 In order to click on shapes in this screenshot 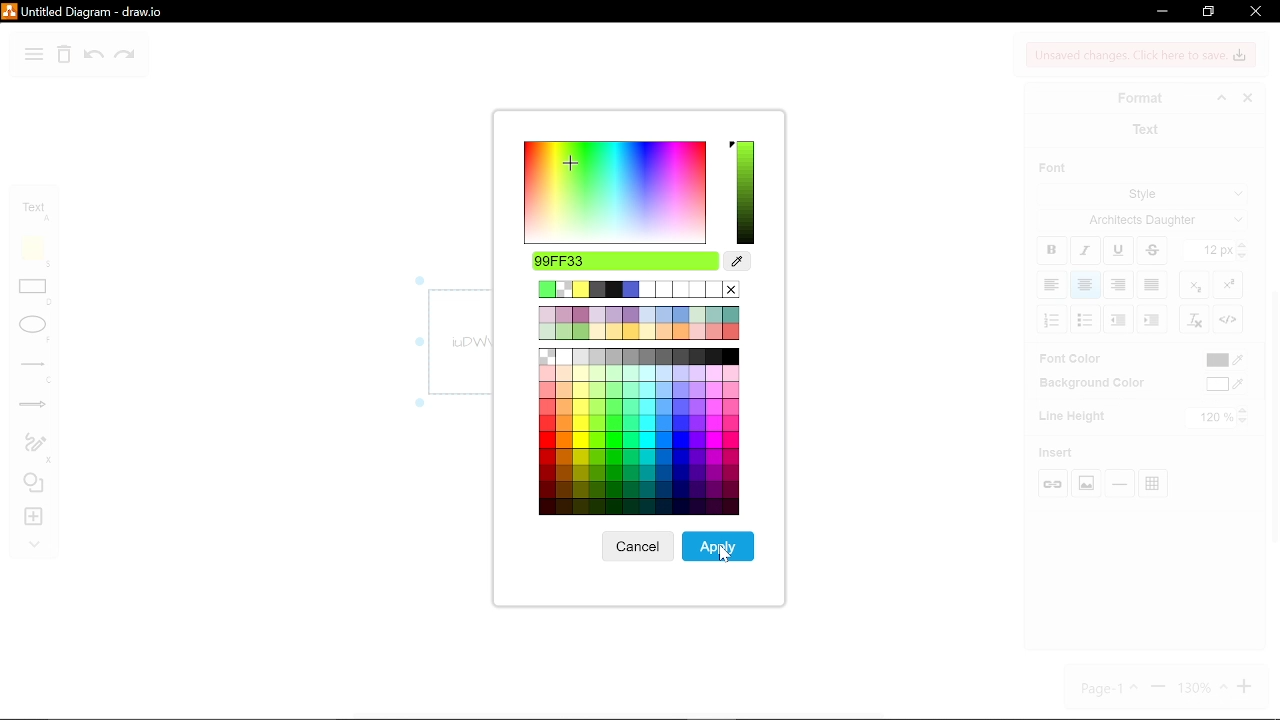, I will do `click(31, 485)`.